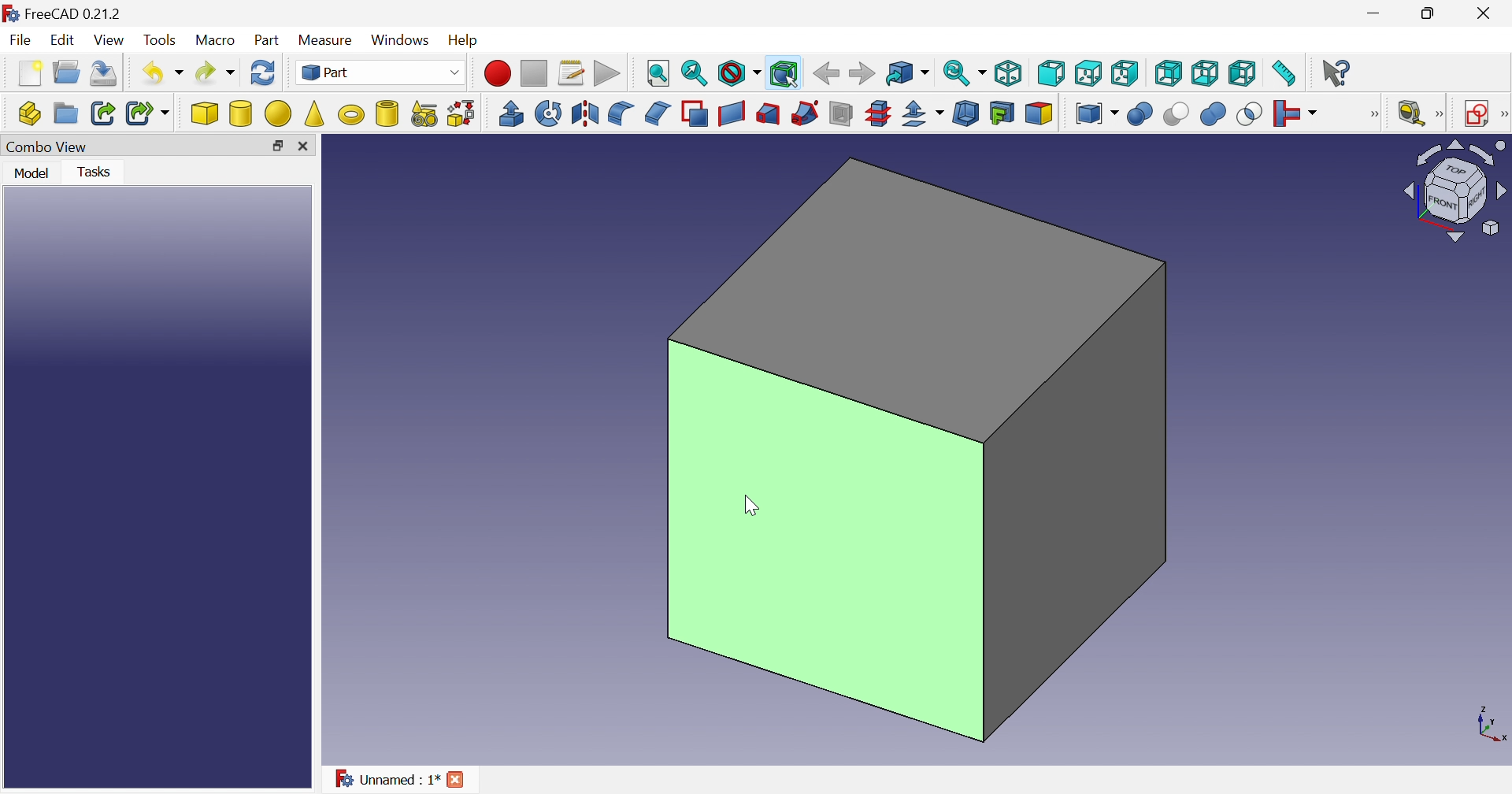 The height and width of the screenshot is (794, 1512). I want to click on Minimize, so click(1377, 13).